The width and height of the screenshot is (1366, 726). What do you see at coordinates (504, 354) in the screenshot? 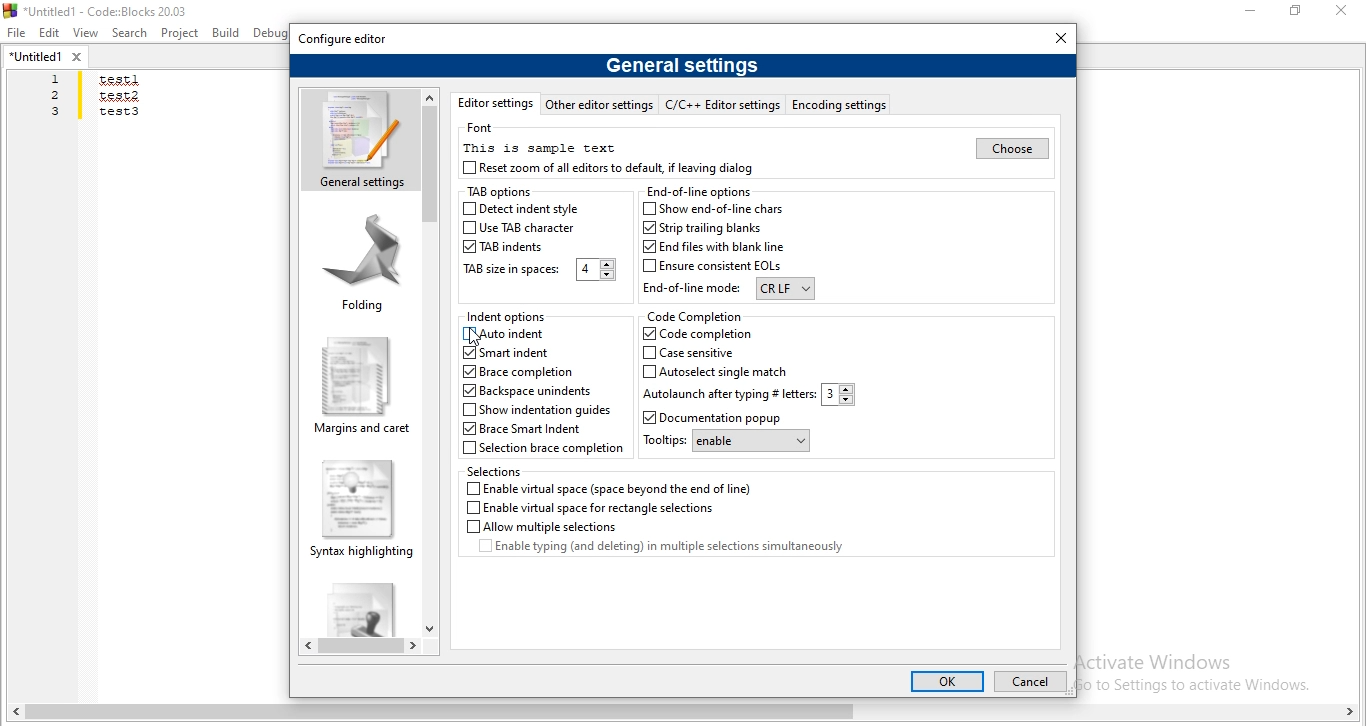
I see `Smart indent` at bounding box center [504, 354].